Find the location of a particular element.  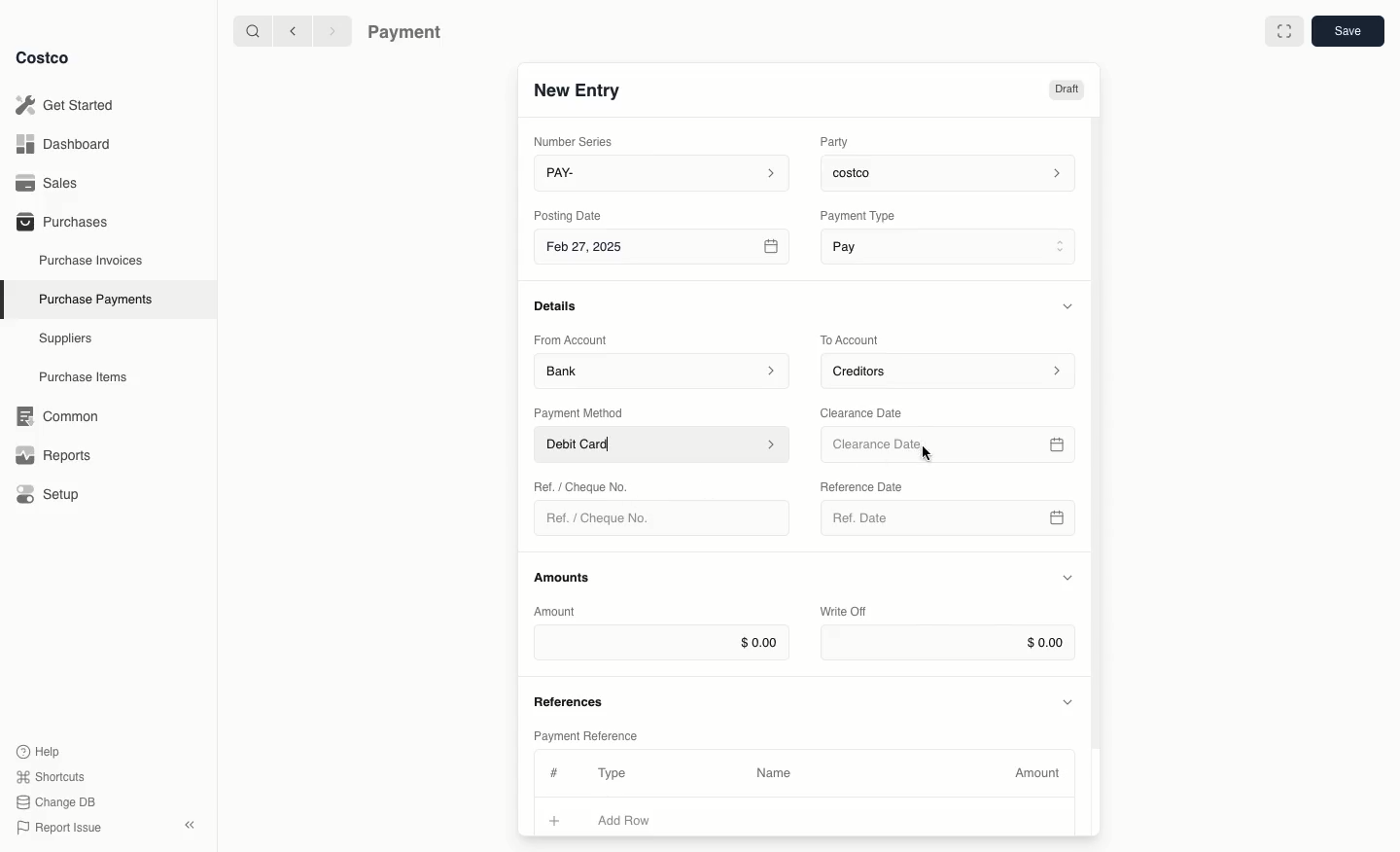

Amount is located at coordinates (1040, 773).